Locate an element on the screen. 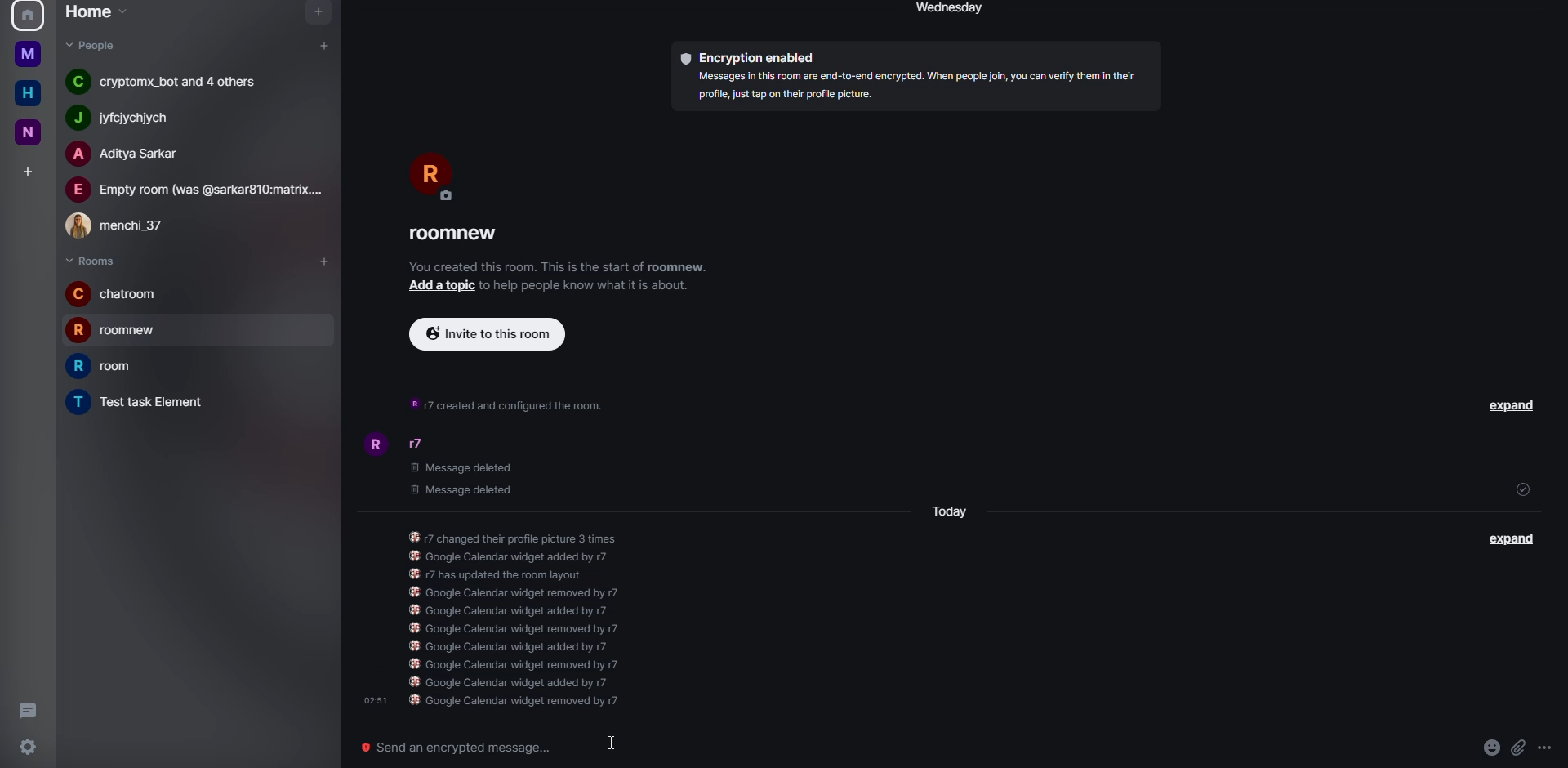 The height and width of the screenshot is (768, 1568). new is located at coordinates (26, 132).